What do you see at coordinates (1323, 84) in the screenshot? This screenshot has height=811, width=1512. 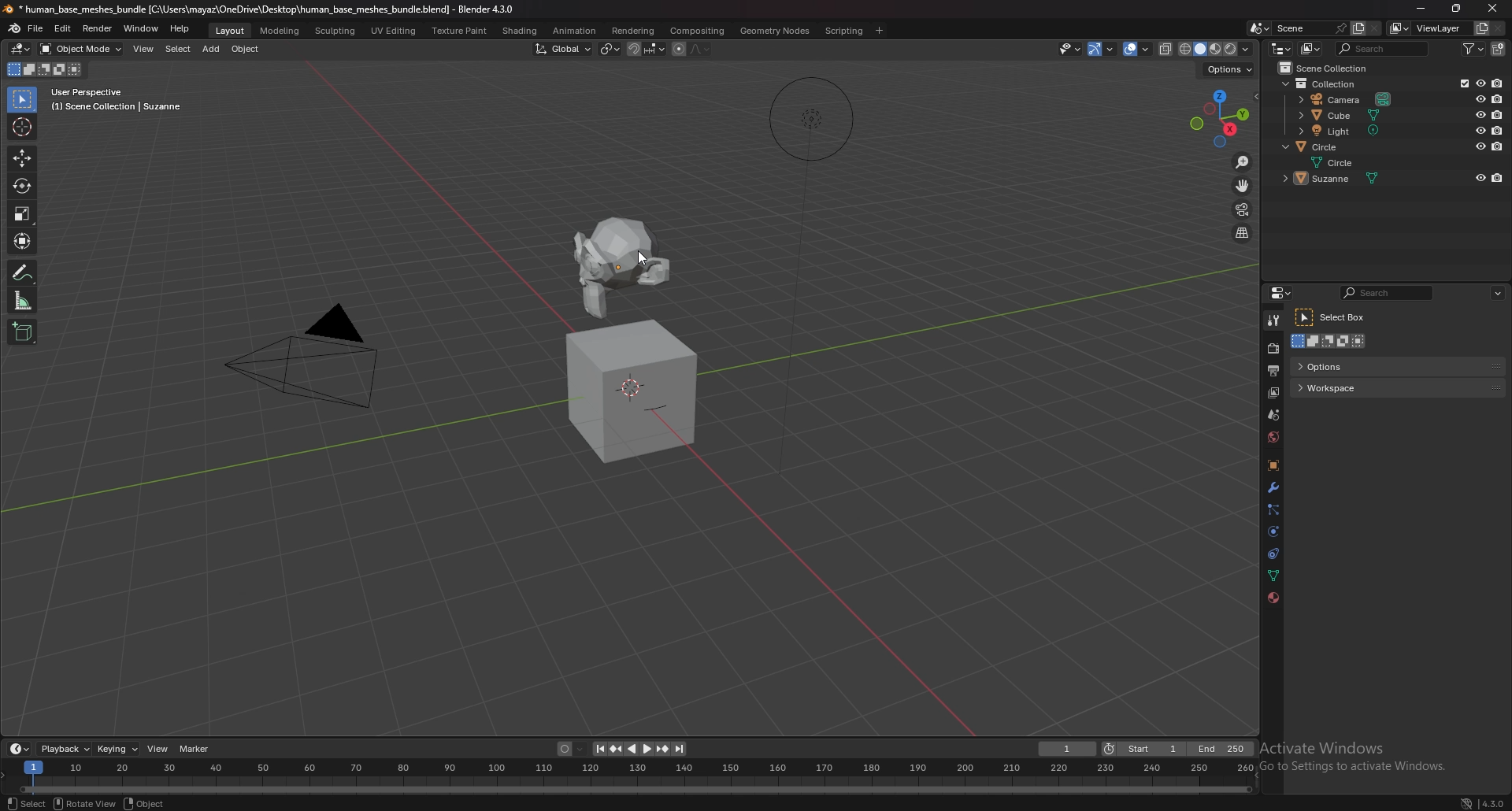 I see `collection` at bounding box center [1323, 84].